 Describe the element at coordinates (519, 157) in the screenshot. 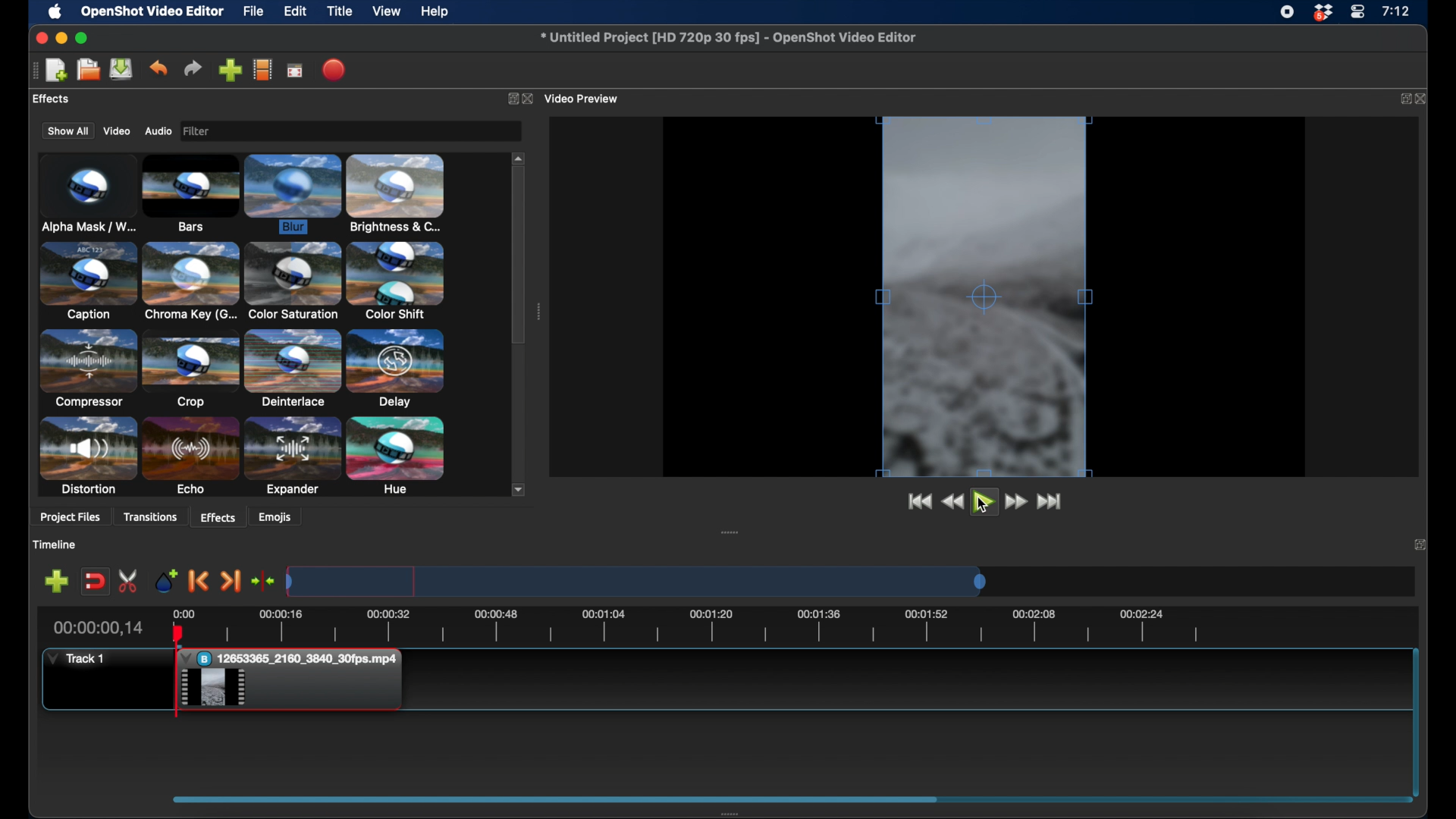

I see `scroll up arrow` at that location.